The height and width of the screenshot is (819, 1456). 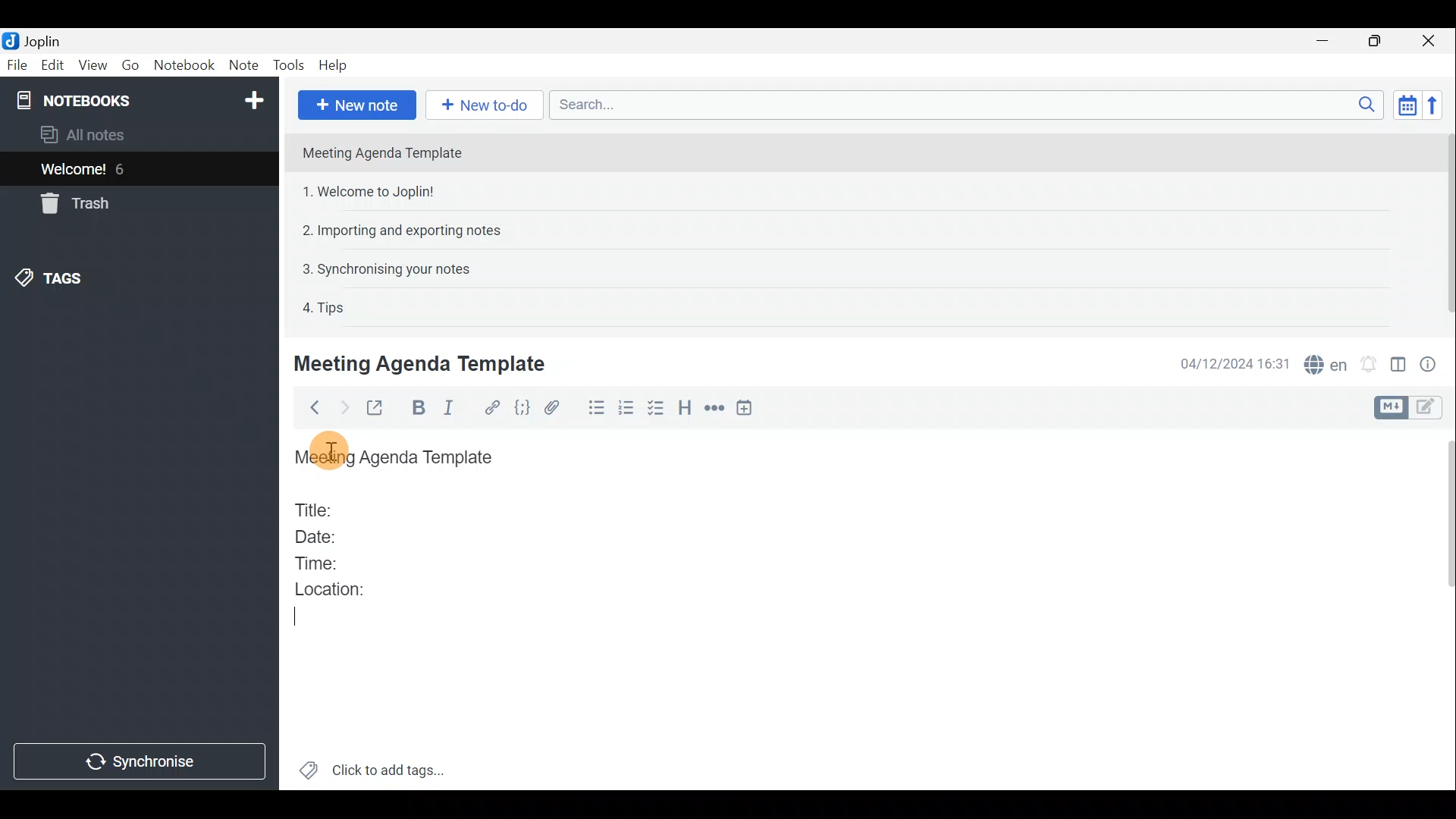 I want to click on 6, so click(x=124, y=169).